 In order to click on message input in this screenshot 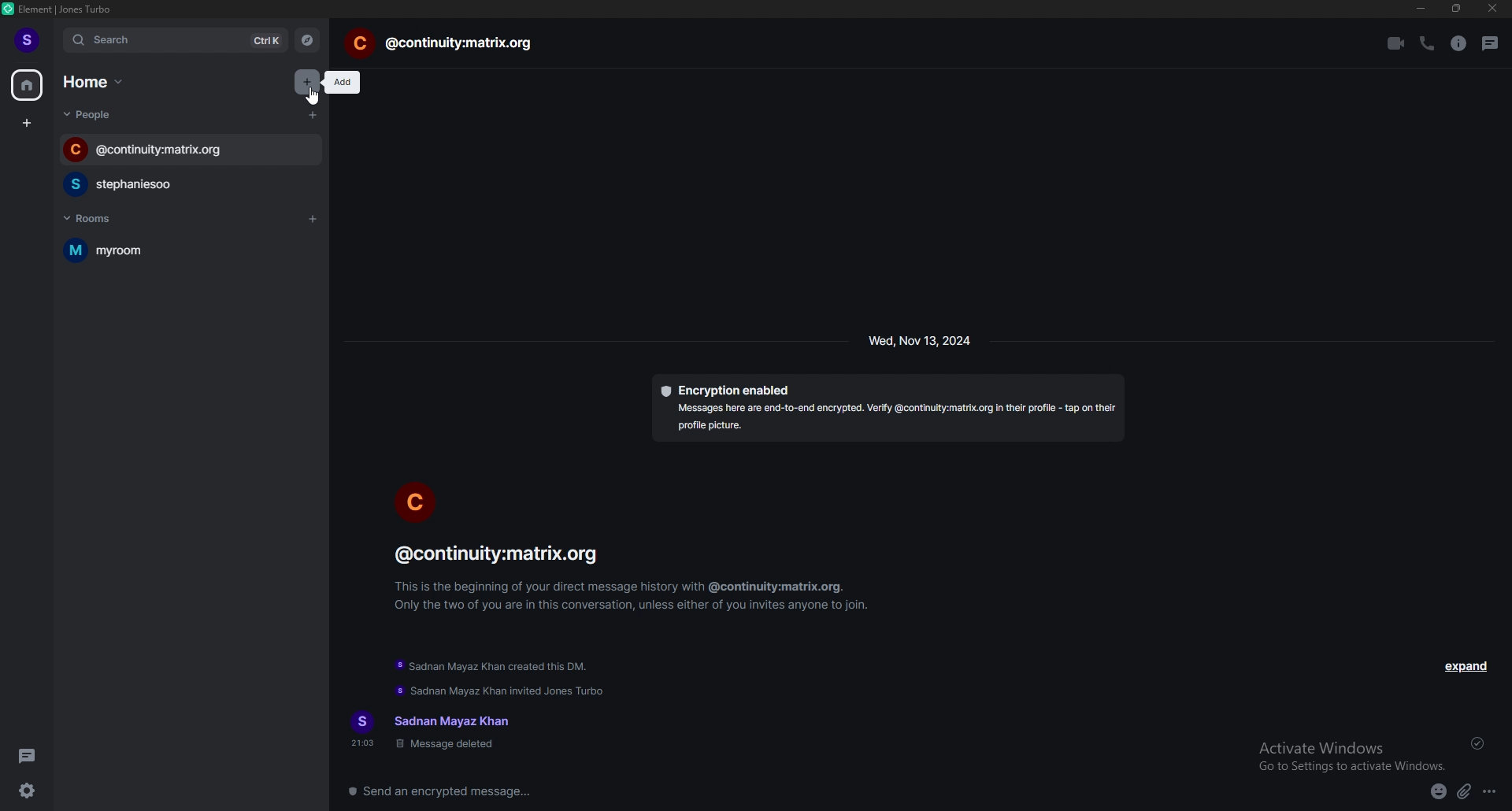, I will do `click(677, 791)`.